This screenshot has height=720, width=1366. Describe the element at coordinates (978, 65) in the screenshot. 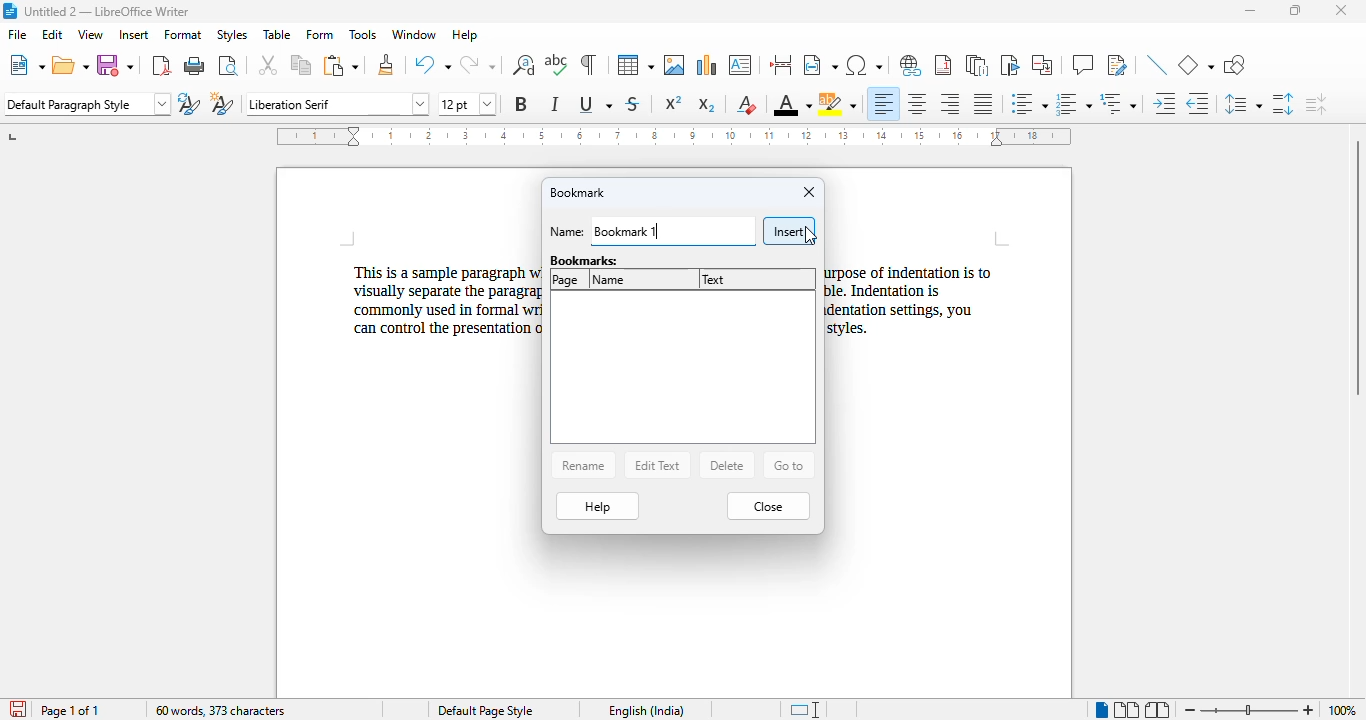

I see `insert endnote` at that location.